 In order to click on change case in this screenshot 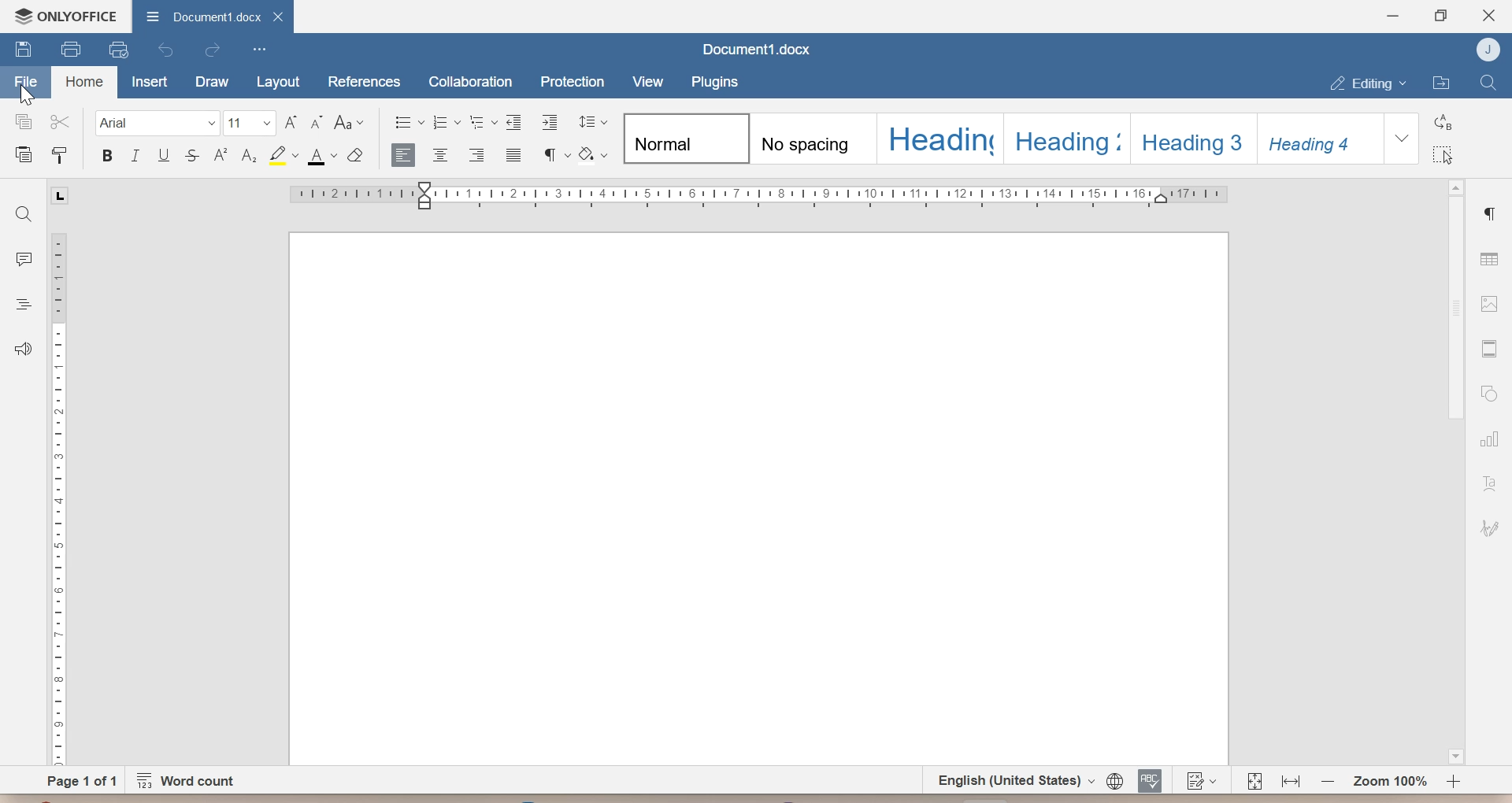, I will do `click(350, 124)`.